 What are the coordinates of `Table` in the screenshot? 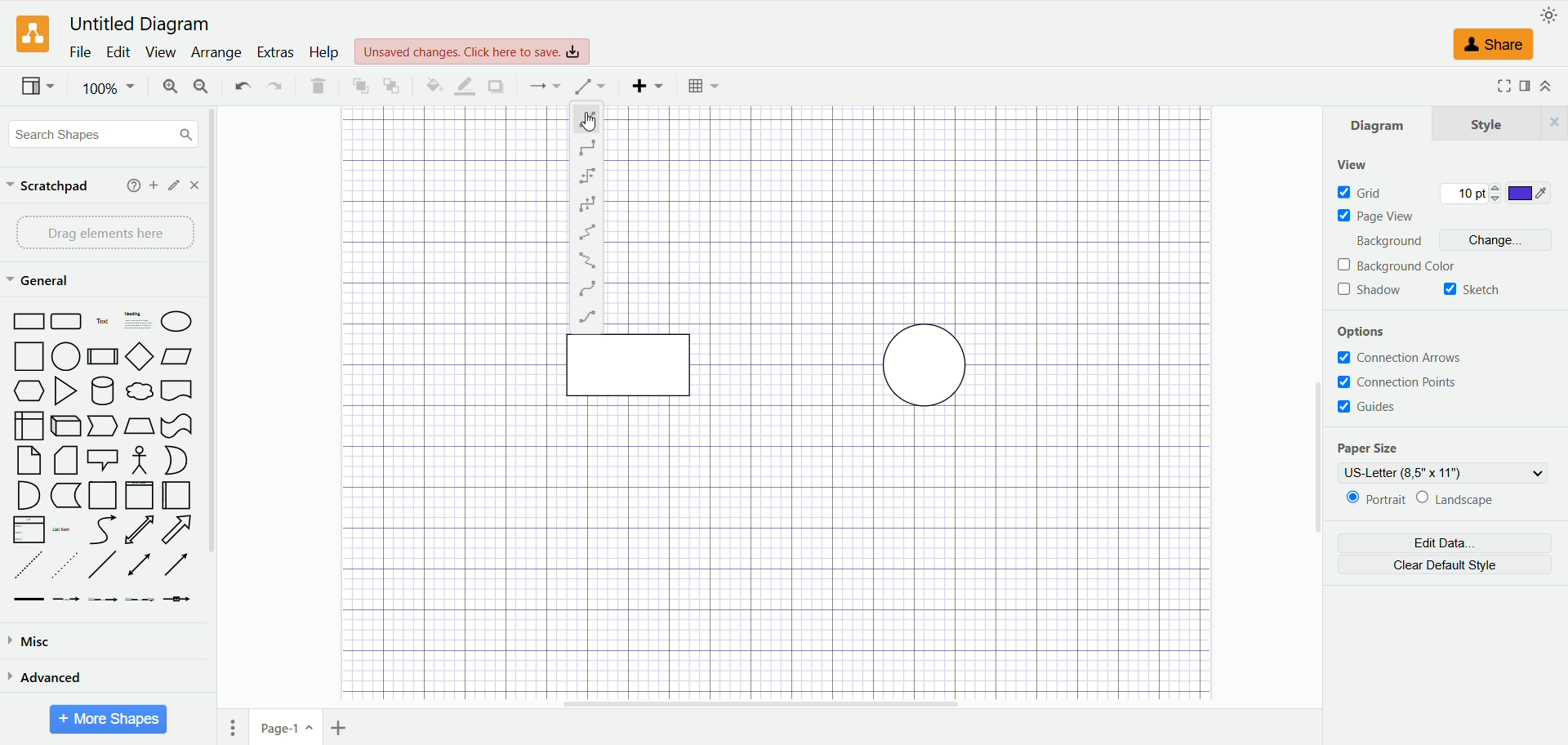 It's located at (703, 86).